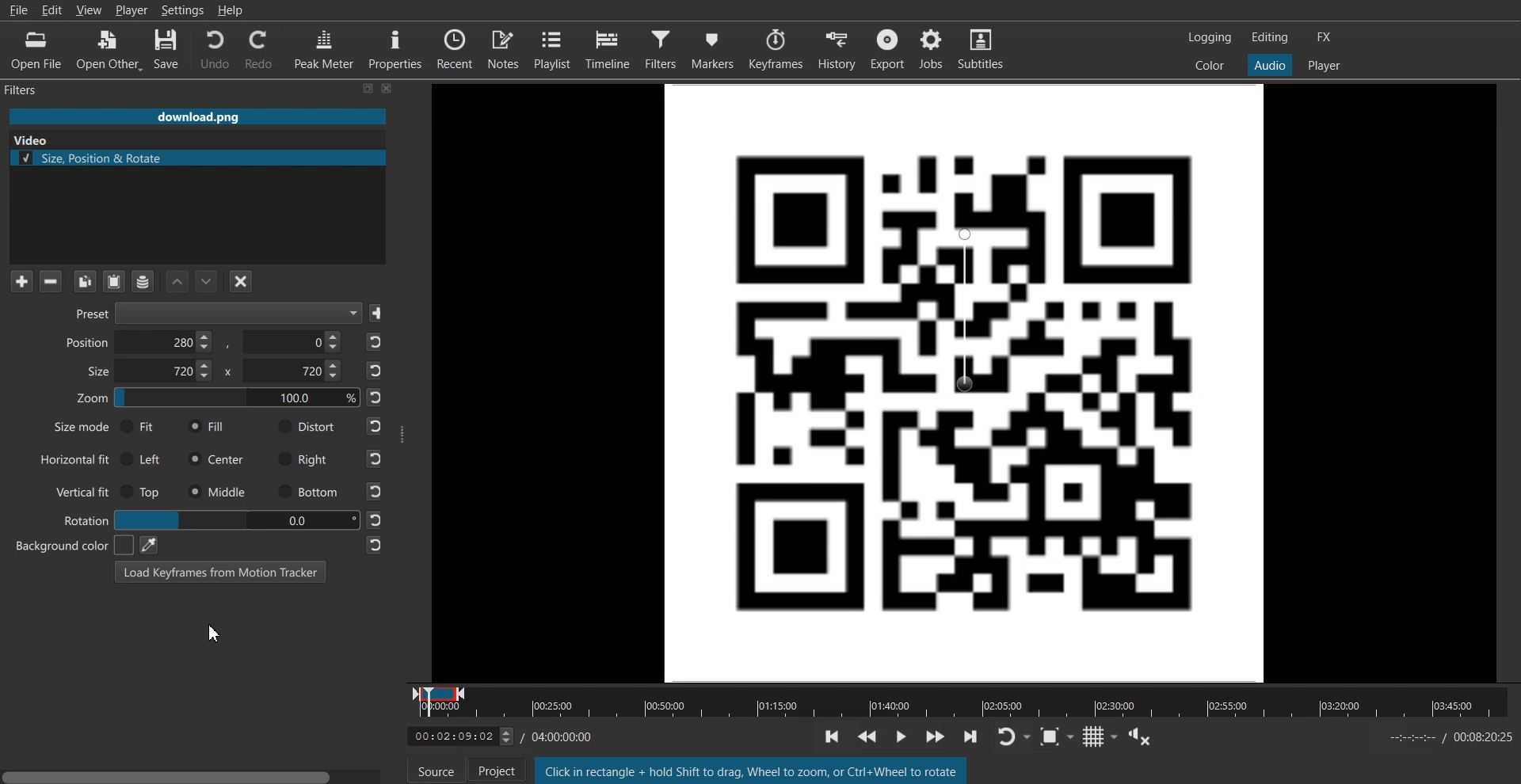 The height and width of the screenshot is (784, 1521). What do you see at coordinates (936, 738) in the screenshot?
I see `Play Quickly forwards` at bounding box center [936, 738].